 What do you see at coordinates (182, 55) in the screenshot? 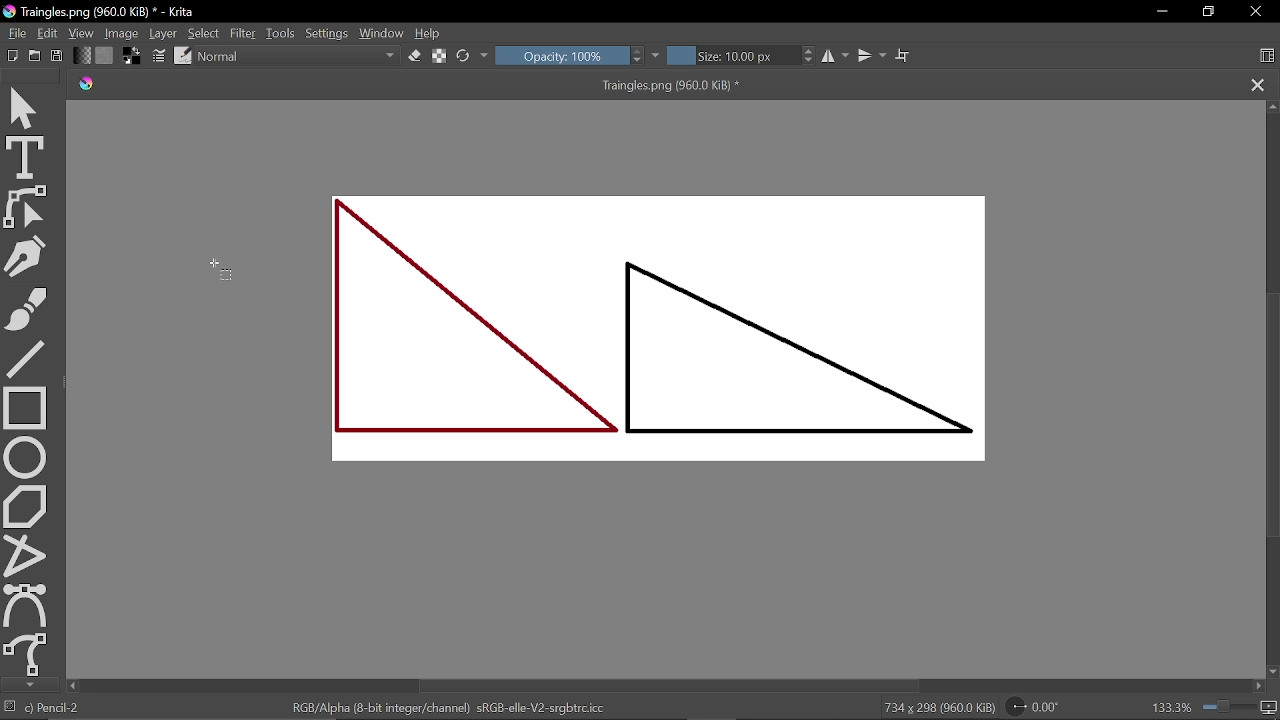
I see `Edit brush preset` at bounding box center [182, 55].